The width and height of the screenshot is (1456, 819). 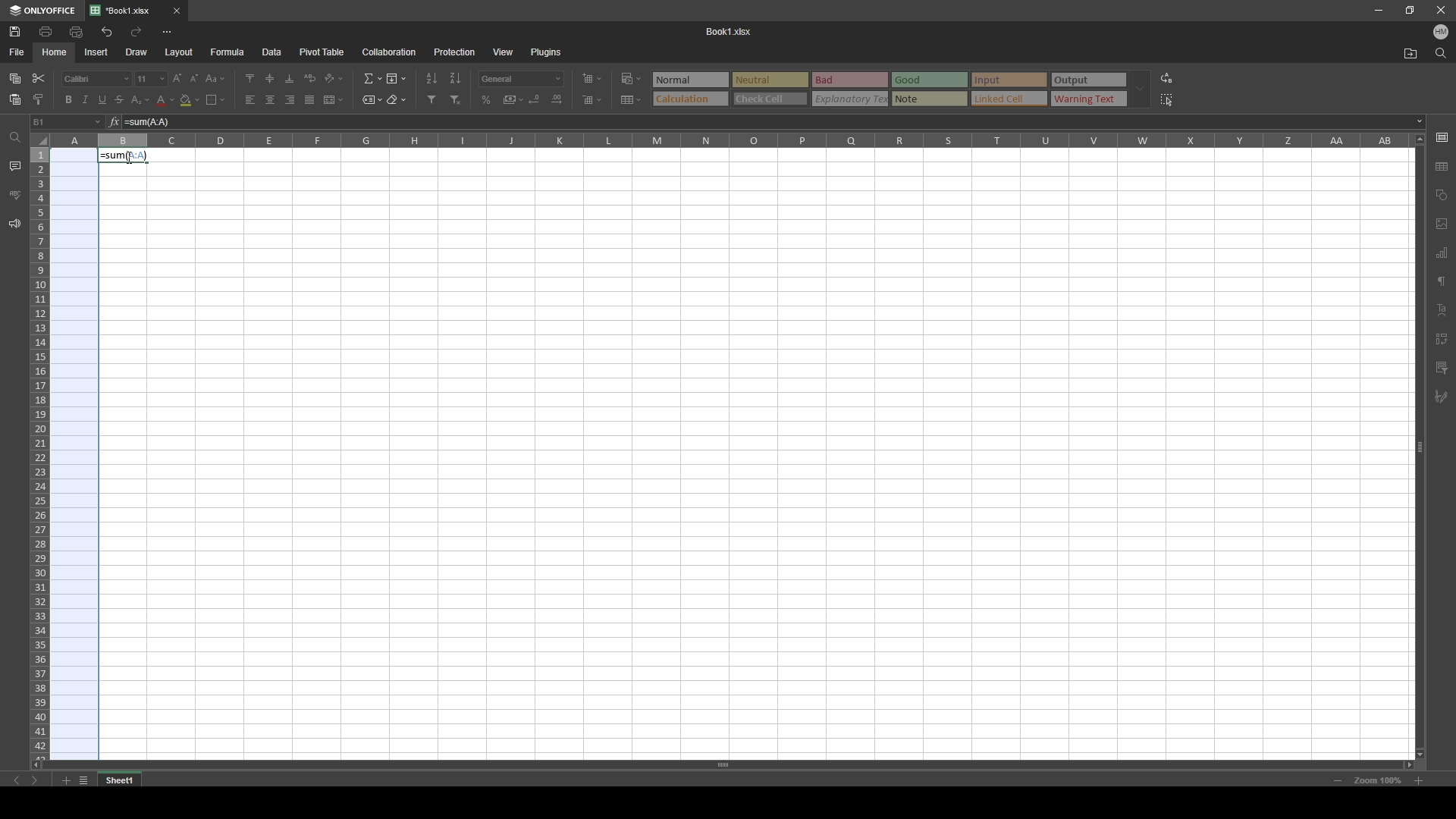 I want to click on align left, so click(x=251, y=100).